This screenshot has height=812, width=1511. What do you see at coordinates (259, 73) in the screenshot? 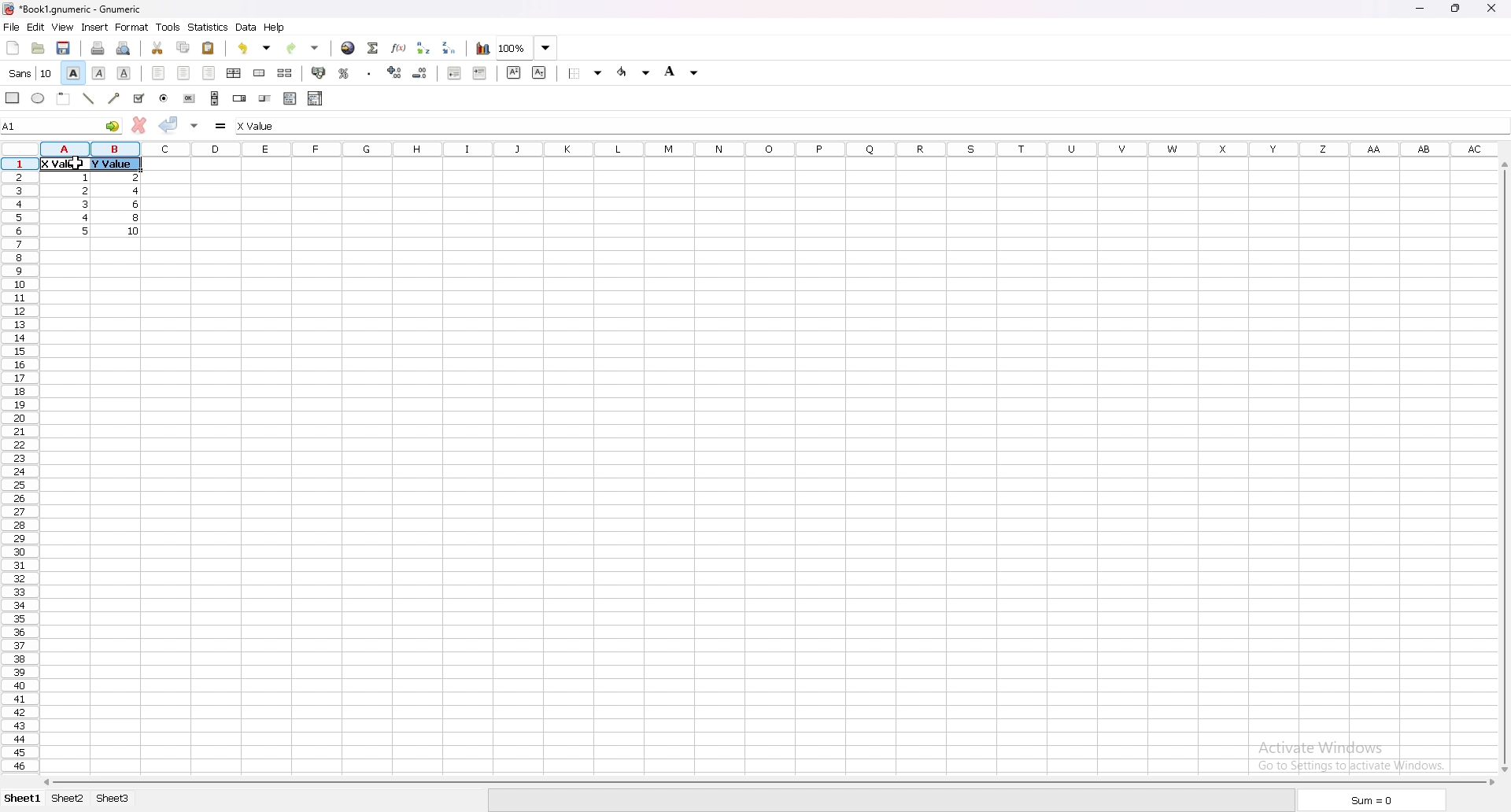
I see `merge cells` at bounding box center [259, 73].